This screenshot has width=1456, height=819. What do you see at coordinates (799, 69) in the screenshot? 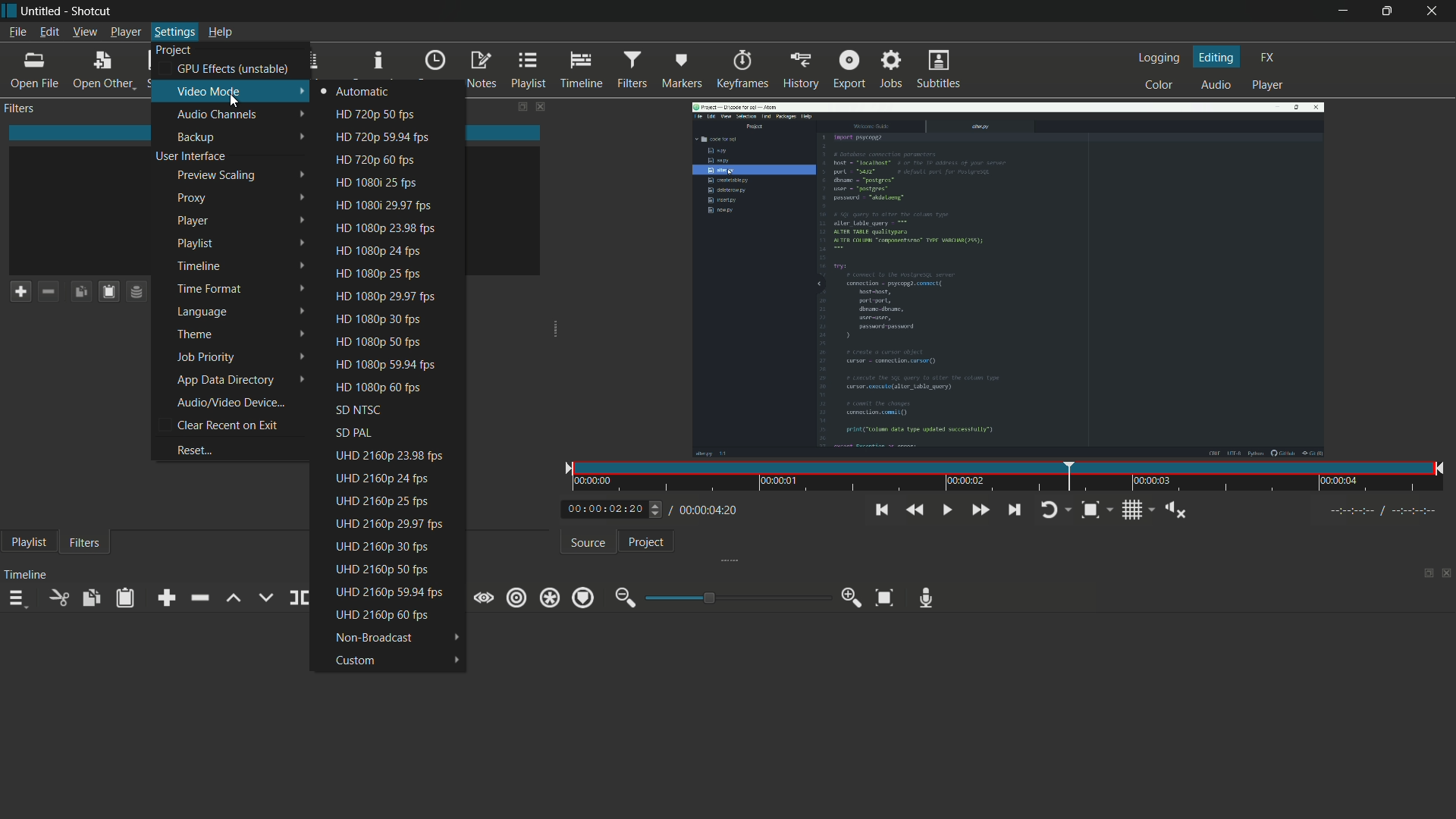
I see `history` at bounding box center [799, 69].